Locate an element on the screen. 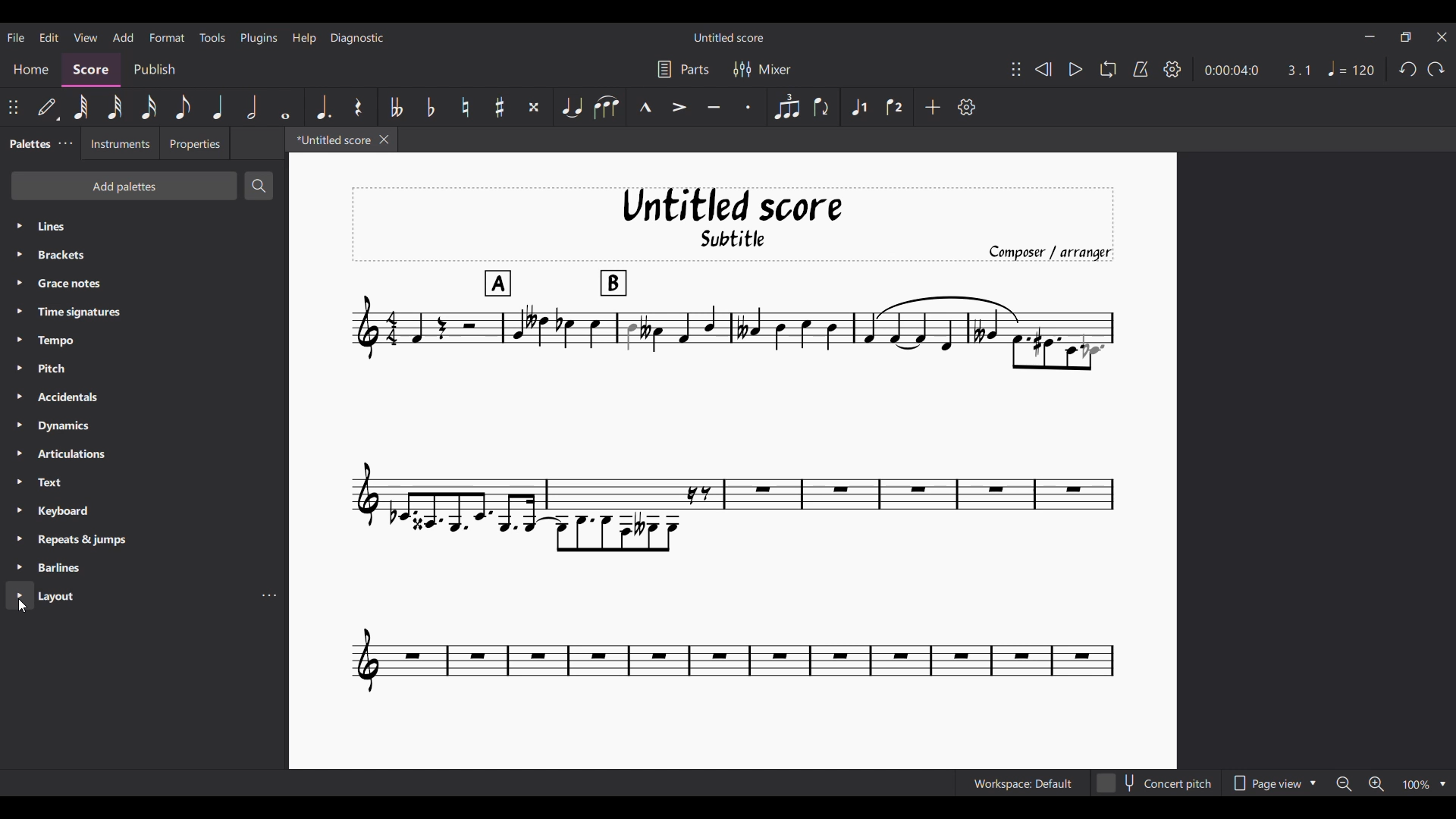 This screenshot has width=1456, height=819. Toggle flat is located at coordinates (431, 107).